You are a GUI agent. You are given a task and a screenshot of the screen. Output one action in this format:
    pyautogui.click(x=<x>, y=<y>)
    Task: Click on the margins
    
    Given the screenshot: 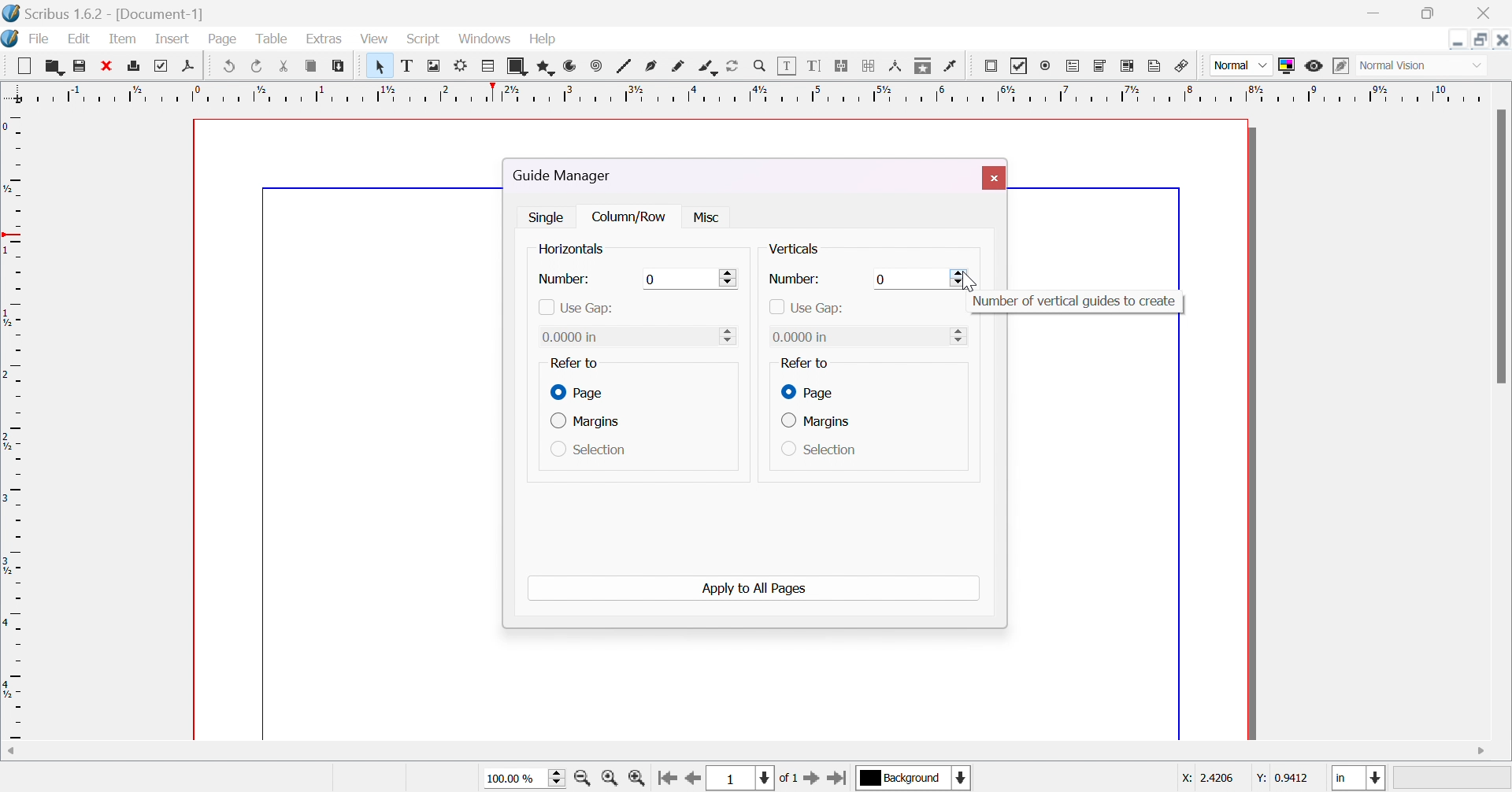 What is the action you would take?
    pyautogui.click(x=816, y=421)
    